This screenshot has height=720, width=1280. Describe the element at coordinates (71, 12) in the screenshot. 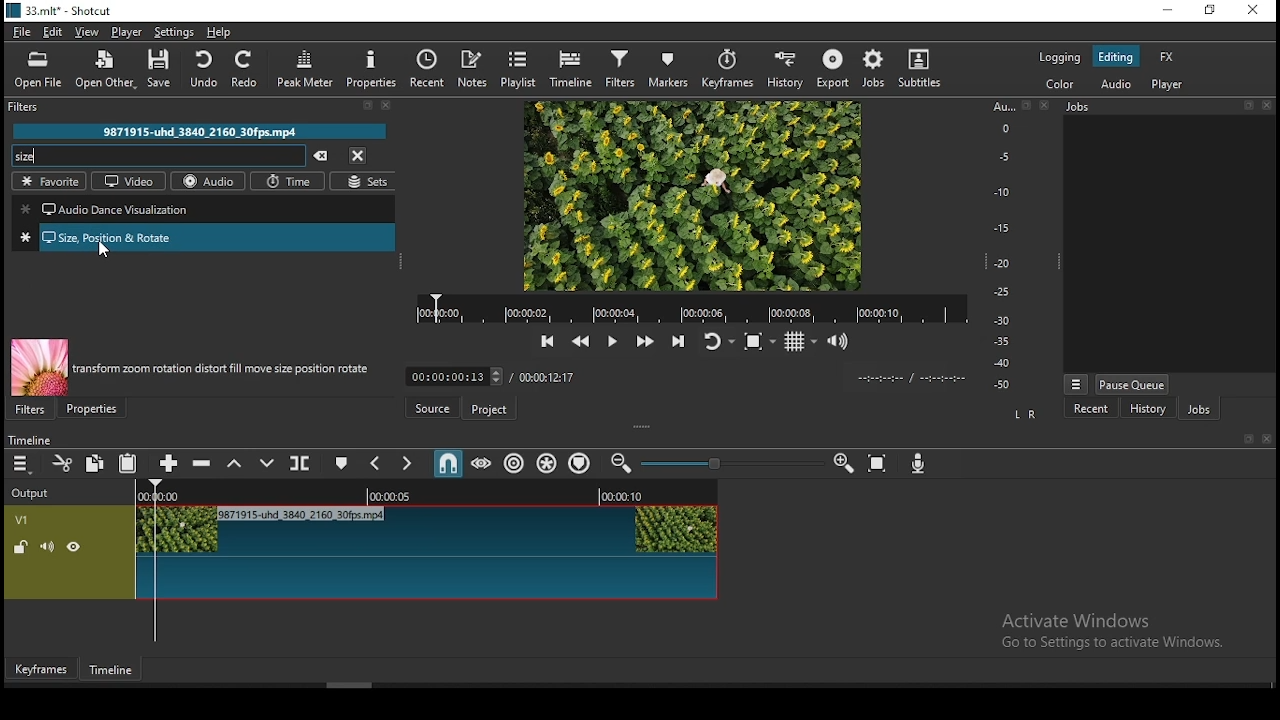

I see `33.mit* - Shotcut.` at that location.